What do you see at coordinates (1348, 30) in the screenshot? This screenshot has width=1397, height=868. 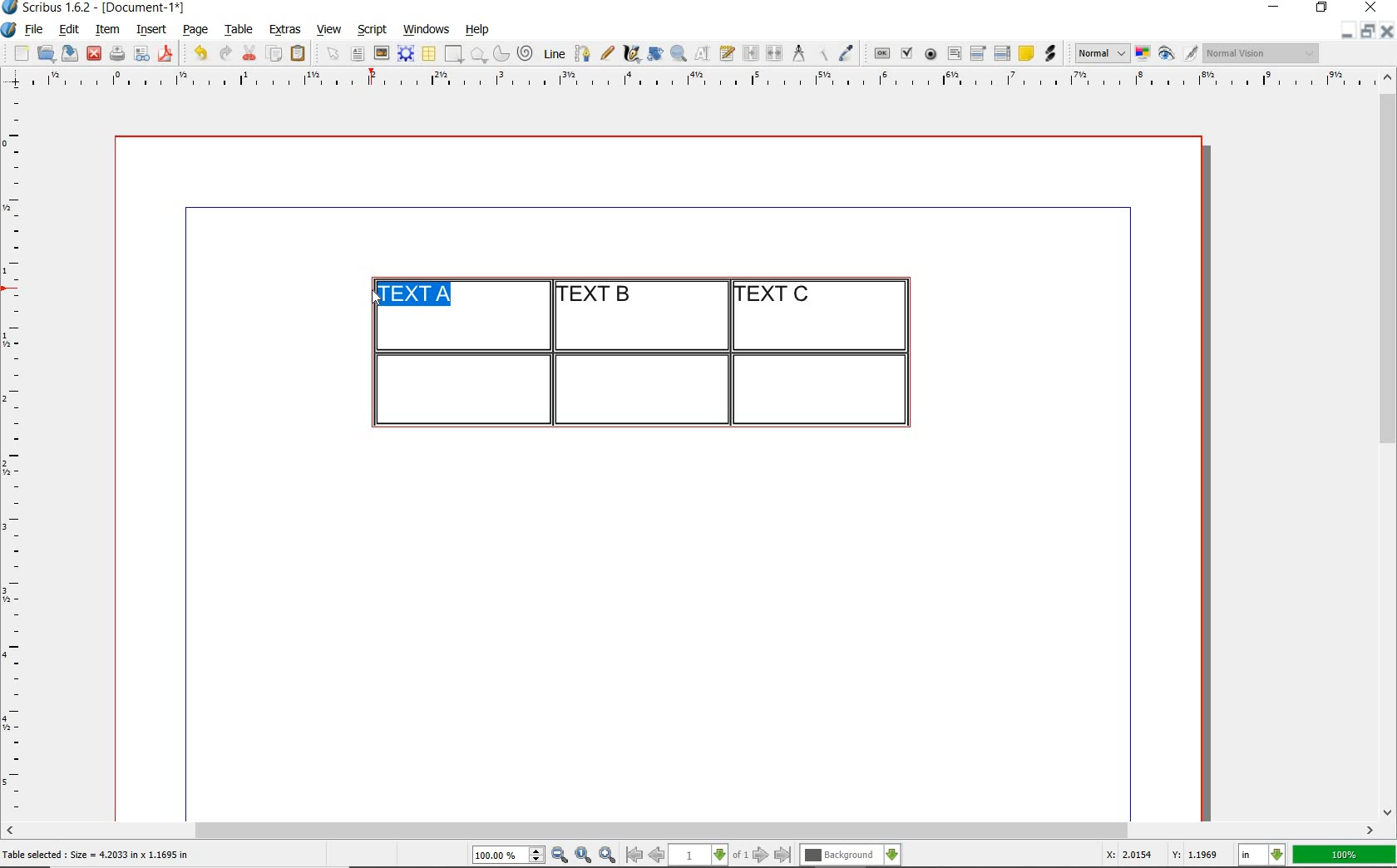 I see `minimize` at bounding box center [1348, 30].